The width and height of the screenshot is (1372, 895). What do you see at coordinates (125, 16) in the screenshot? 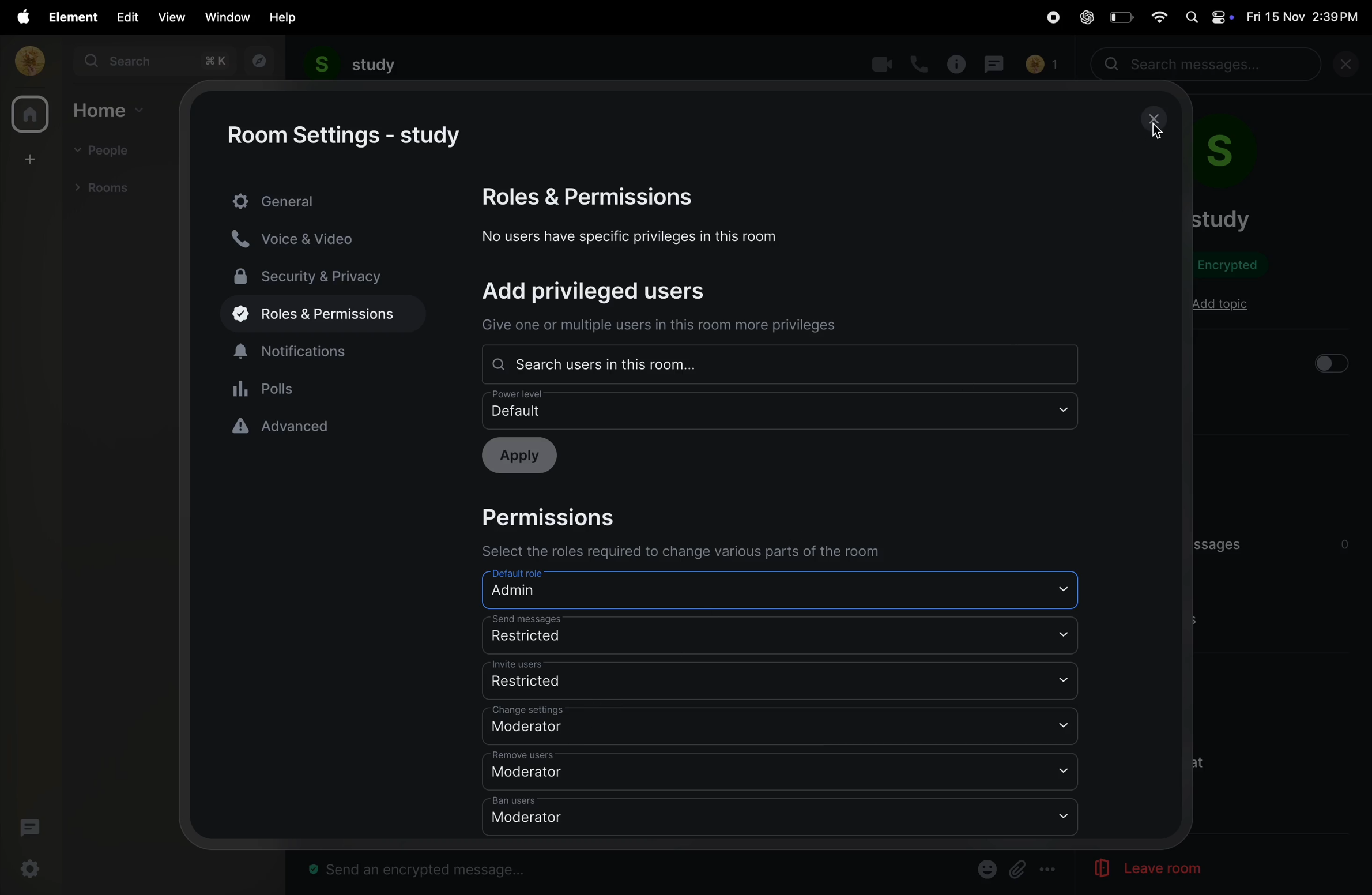
I see `edit` at bounding box center [125, 16].